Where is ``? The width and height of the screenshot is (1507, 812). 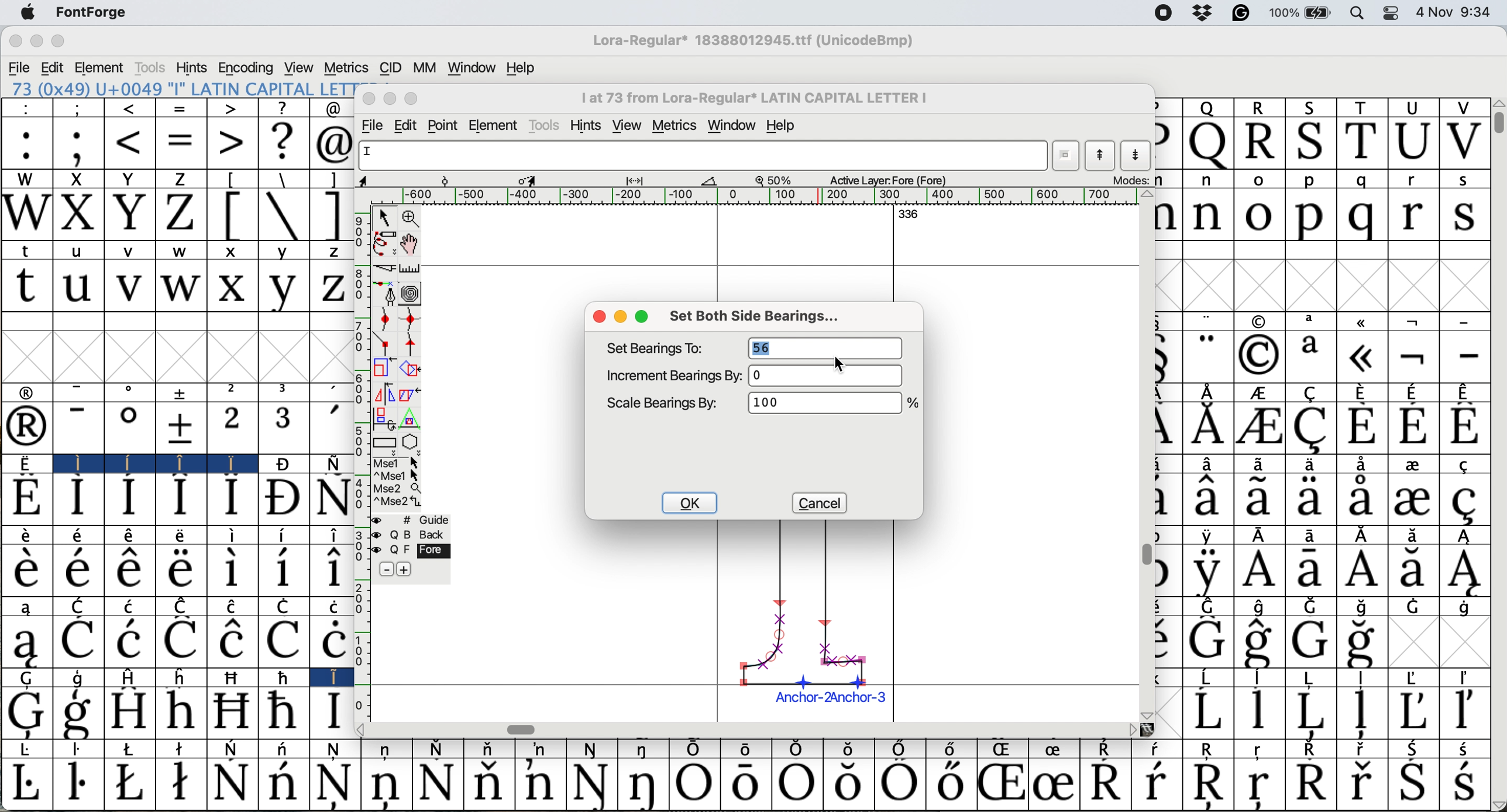
 is located at coordinates (1146, 195).